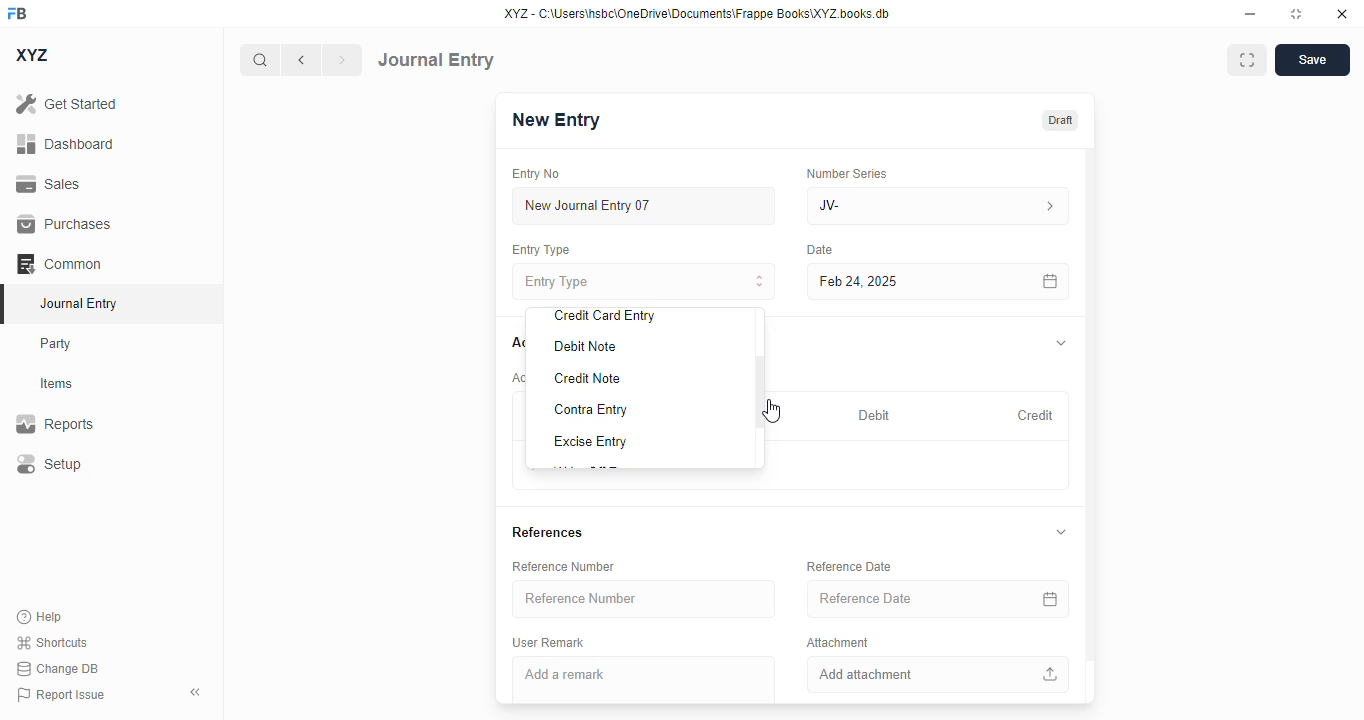 Image resolution: width=1364 pixels, height=720 pixels. I want to click on XYZ - C:\Users\hsbc\OneDrive\Documents\Frappe Books\XYZ books. db, so click(697, 14).